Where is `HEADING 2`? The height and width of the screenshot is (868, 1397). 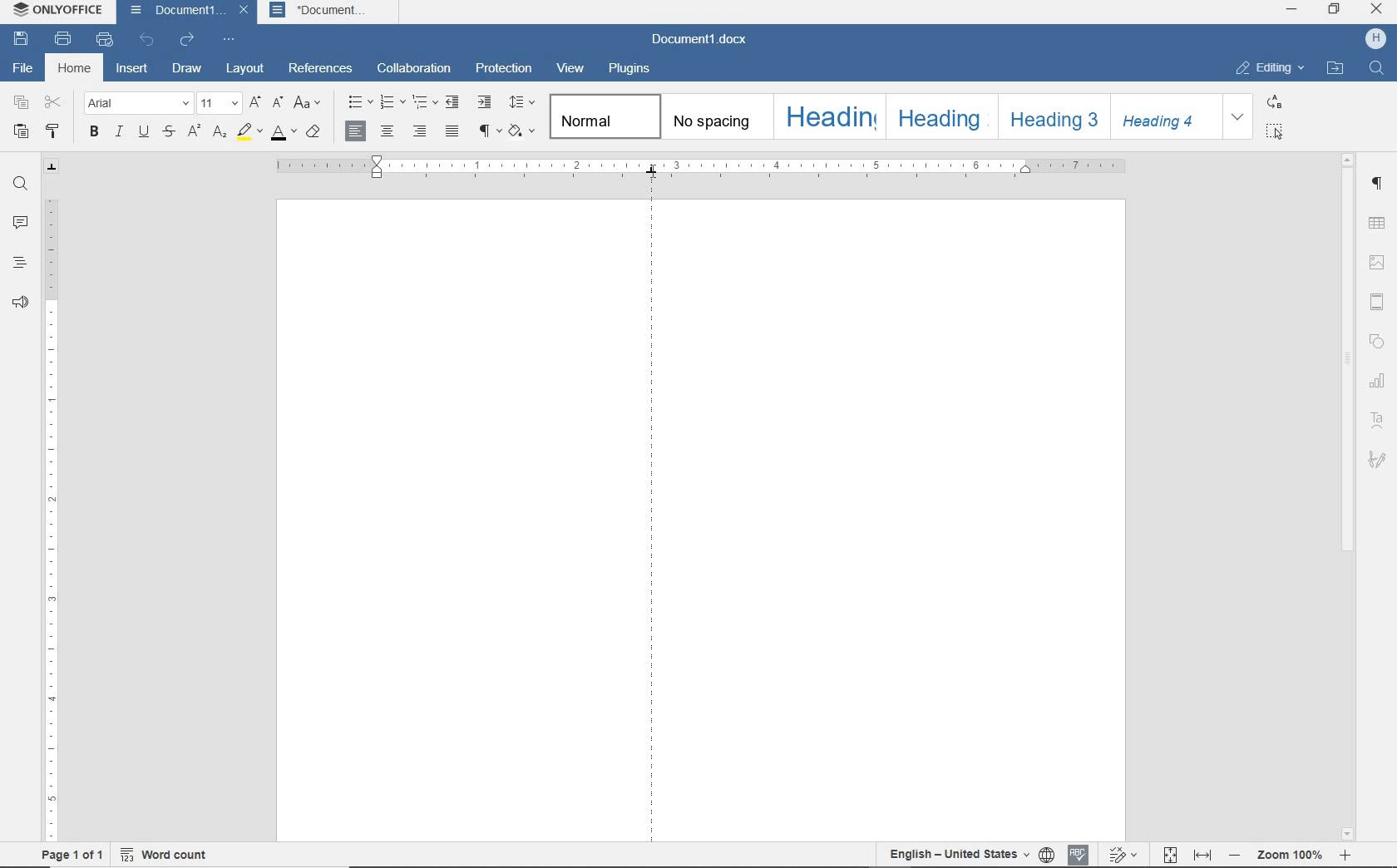
HEADING 2 is located at coordinates (939, 116).